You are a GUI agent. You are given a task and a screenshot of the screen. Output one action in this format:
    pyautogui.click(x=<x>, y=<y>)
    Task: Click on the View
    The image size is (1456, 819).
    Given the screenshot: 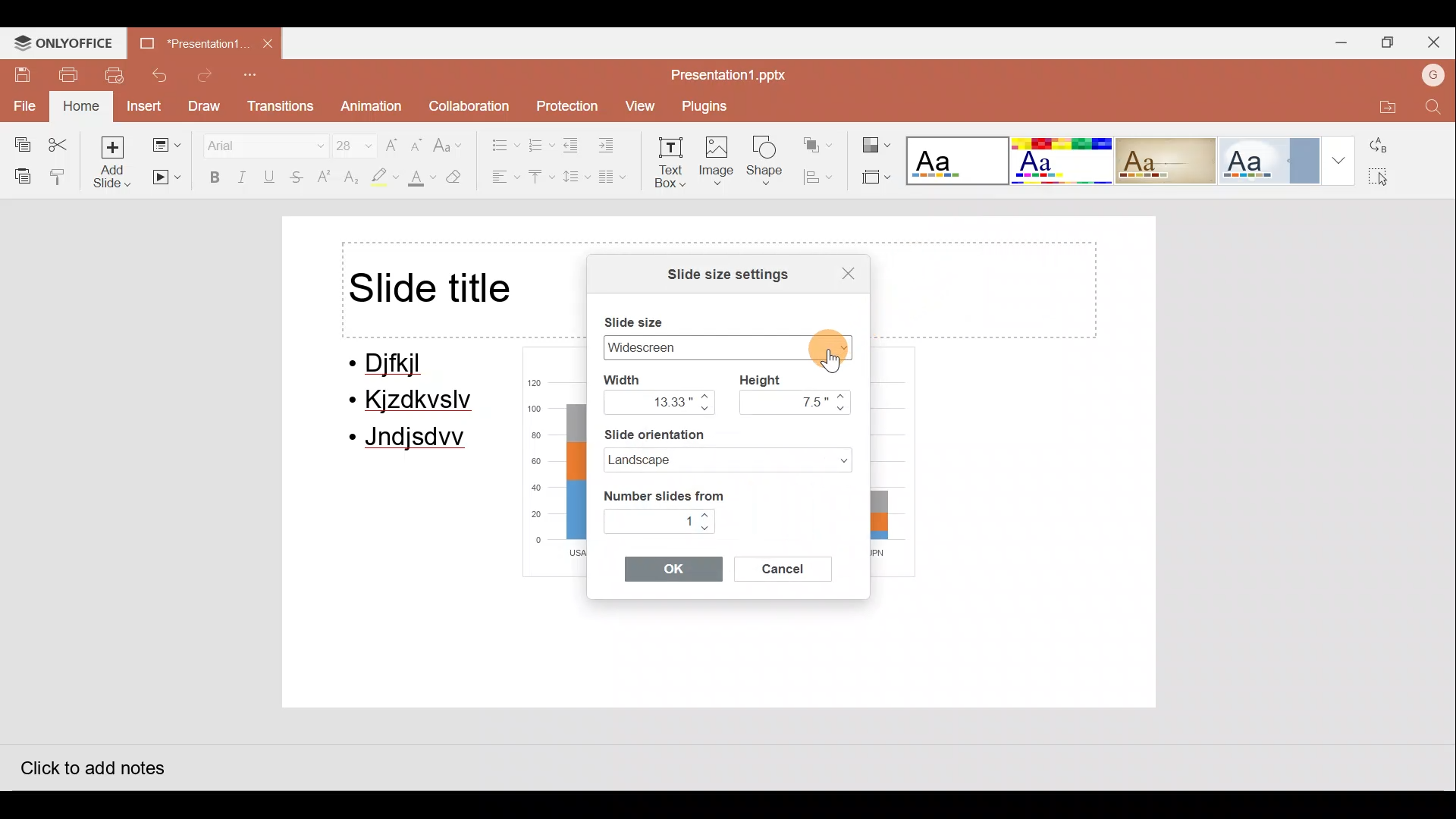 What is the action you would take?
    pyautogui.click(x=639, y=106)
    